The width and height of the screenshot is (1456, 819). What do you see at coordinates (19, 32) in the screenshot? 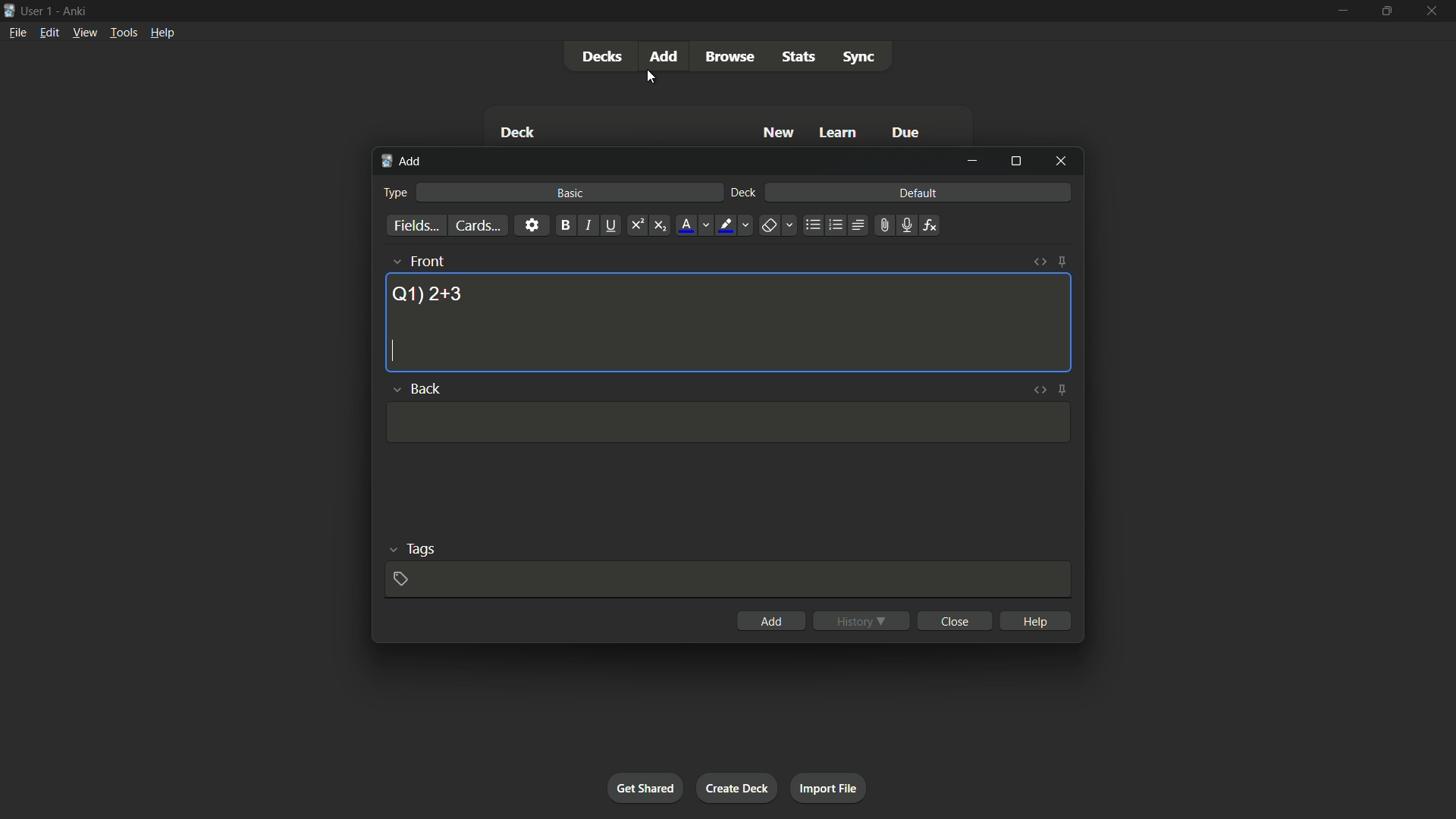
I see `file menu` at bounding box center [19, 32].